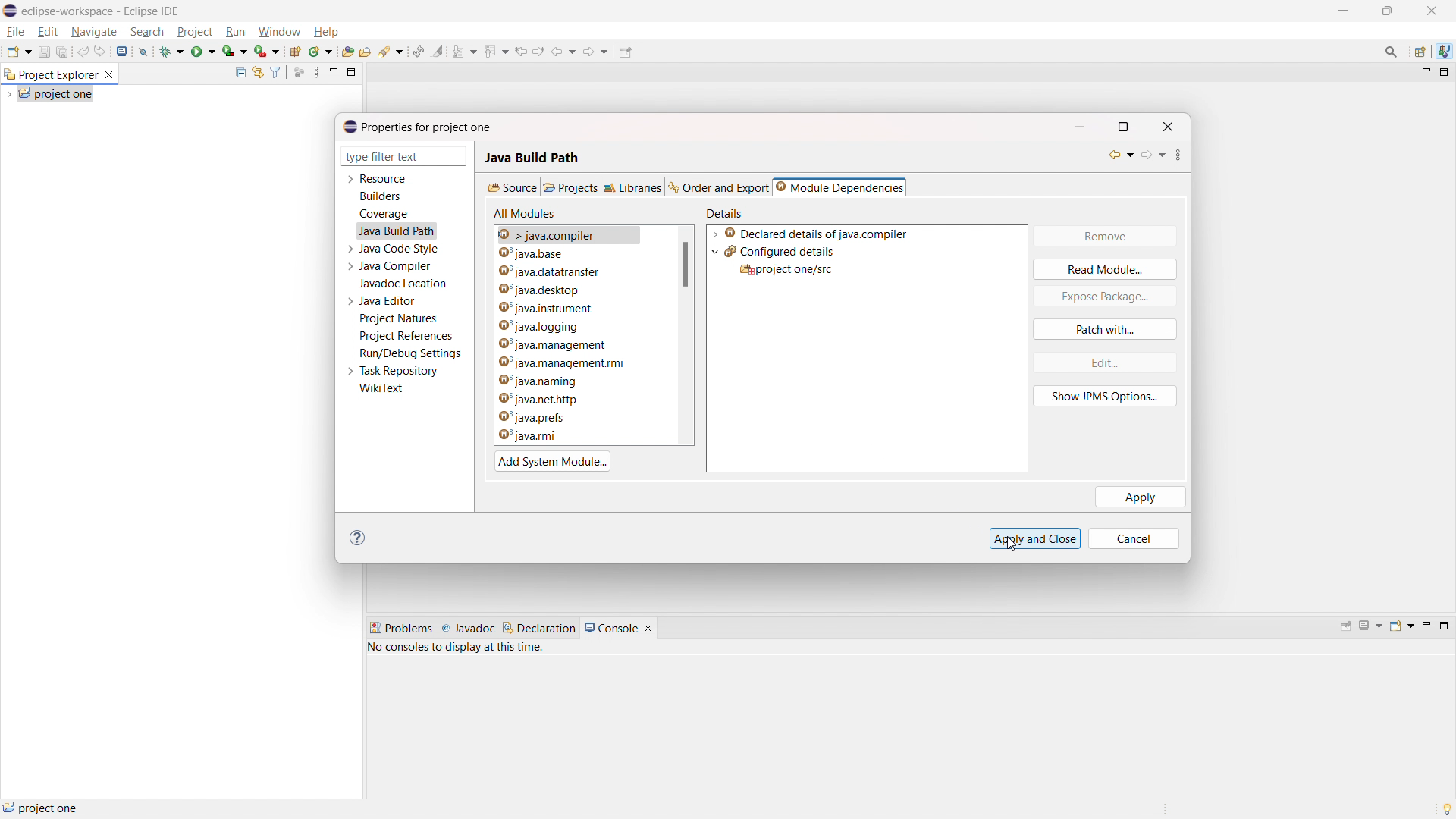 Image resolution: width=1456 pixels, height=819 pixels. I want to click on project one, so click(42, 808).